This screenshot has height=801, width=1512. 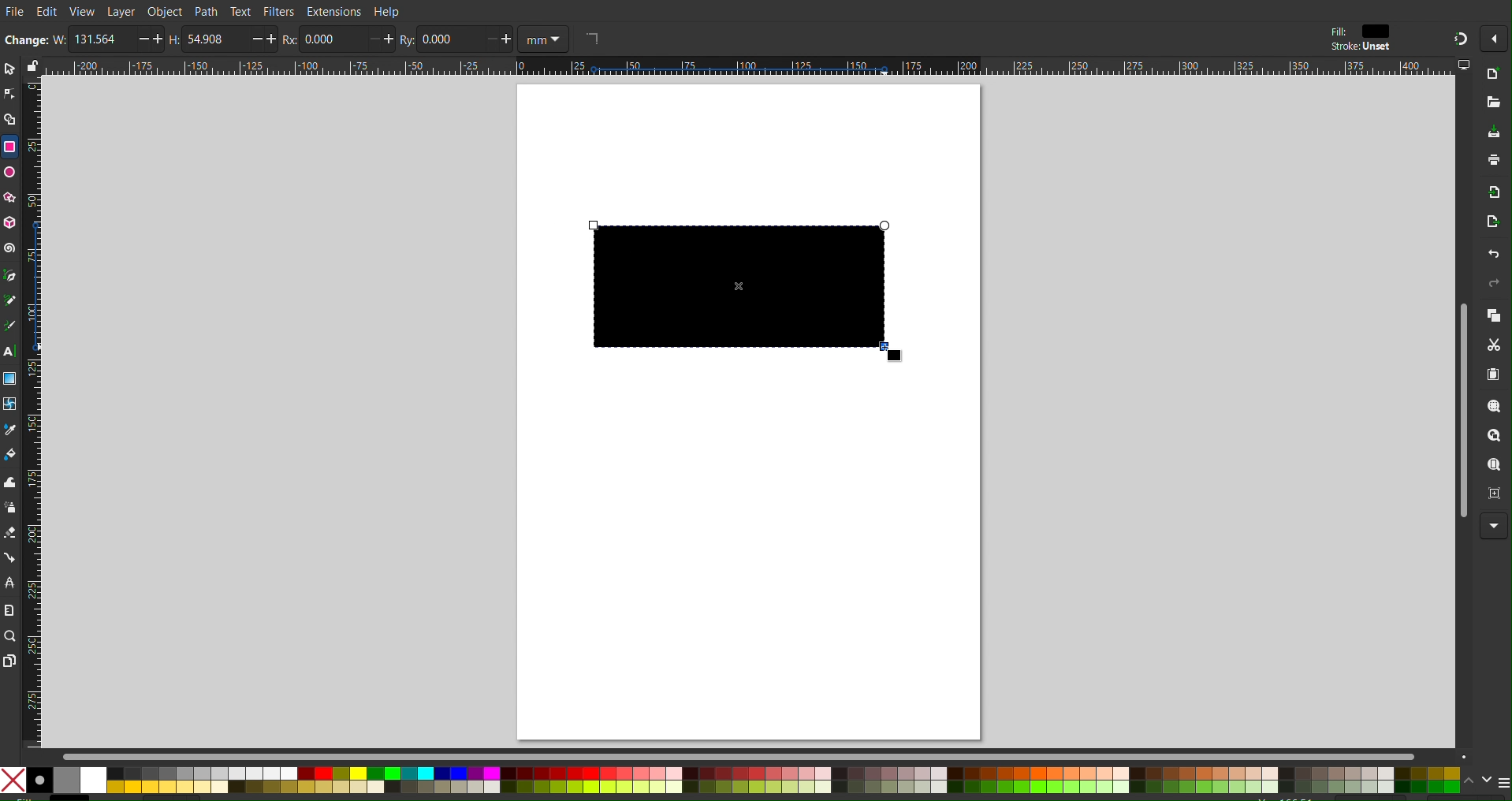 What do you see at coordinates (1485, 225) in the screenshot?
I see `Open Export` at bounding box center [1485, 225].